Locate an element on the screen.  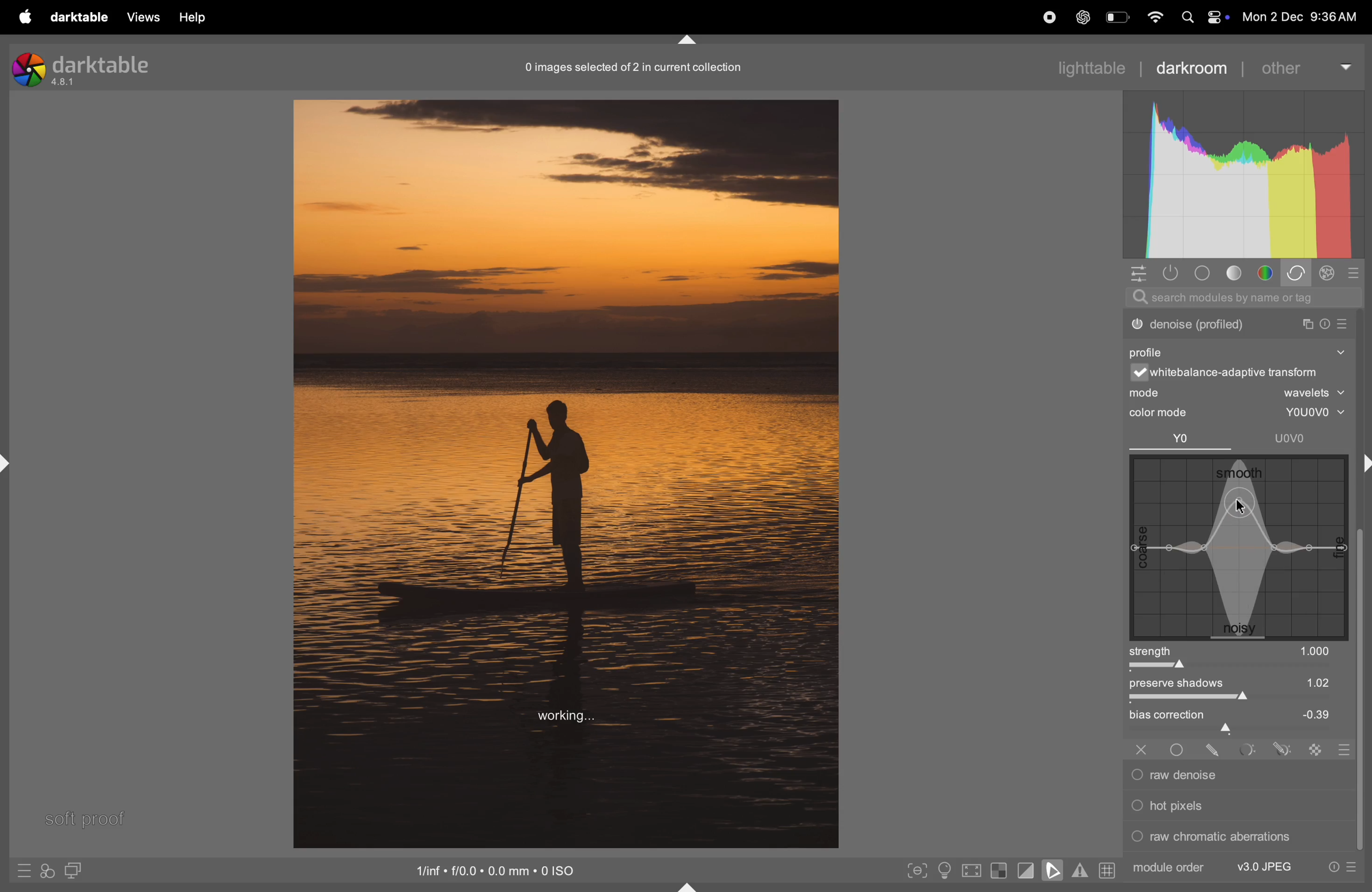
toggle indication for raw exposure is located at coordinates (999, 872).